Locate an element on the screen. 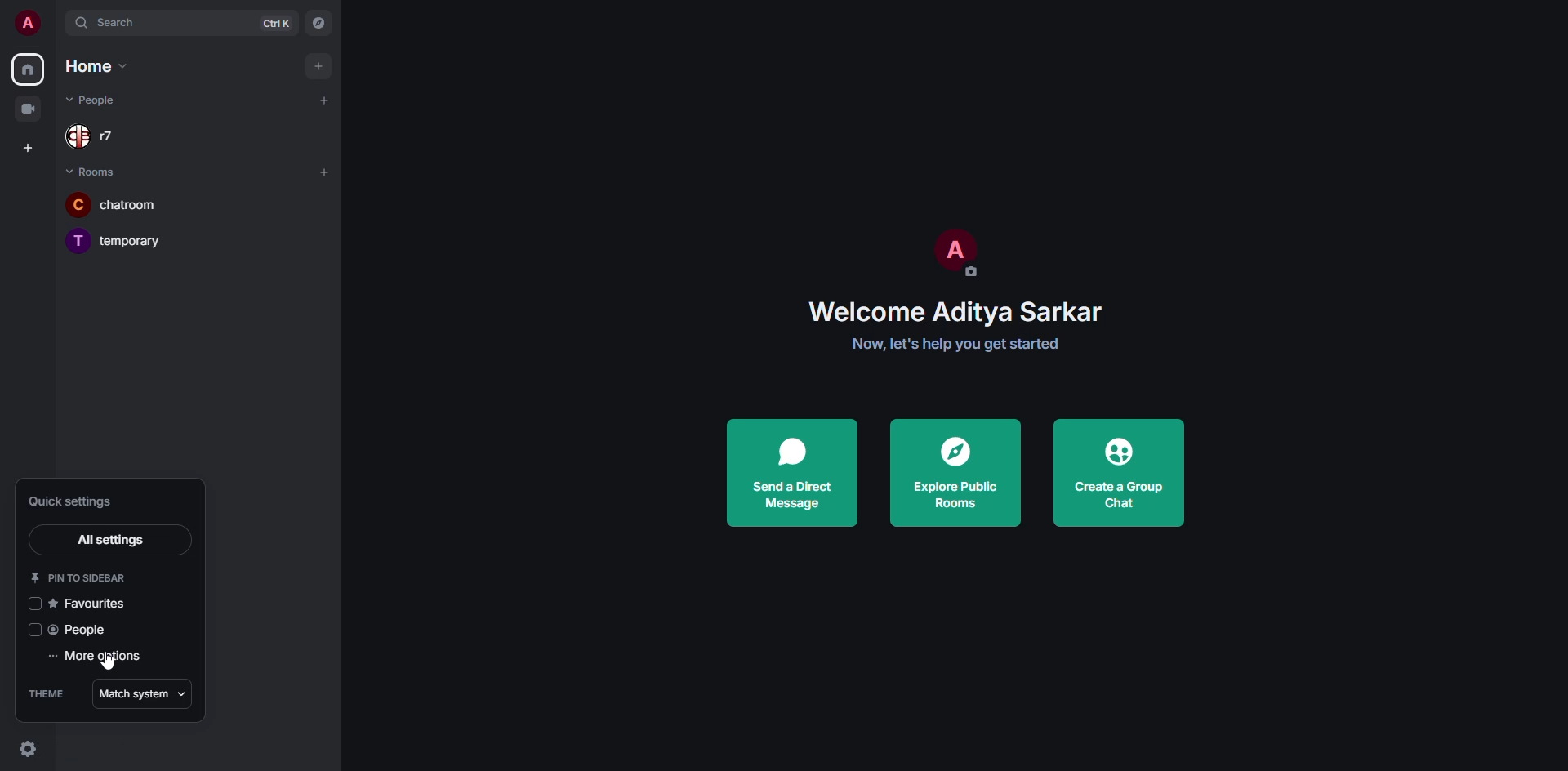 The width and height of the screenshot is (1568, 771). room is located at coordinates (120, 241).